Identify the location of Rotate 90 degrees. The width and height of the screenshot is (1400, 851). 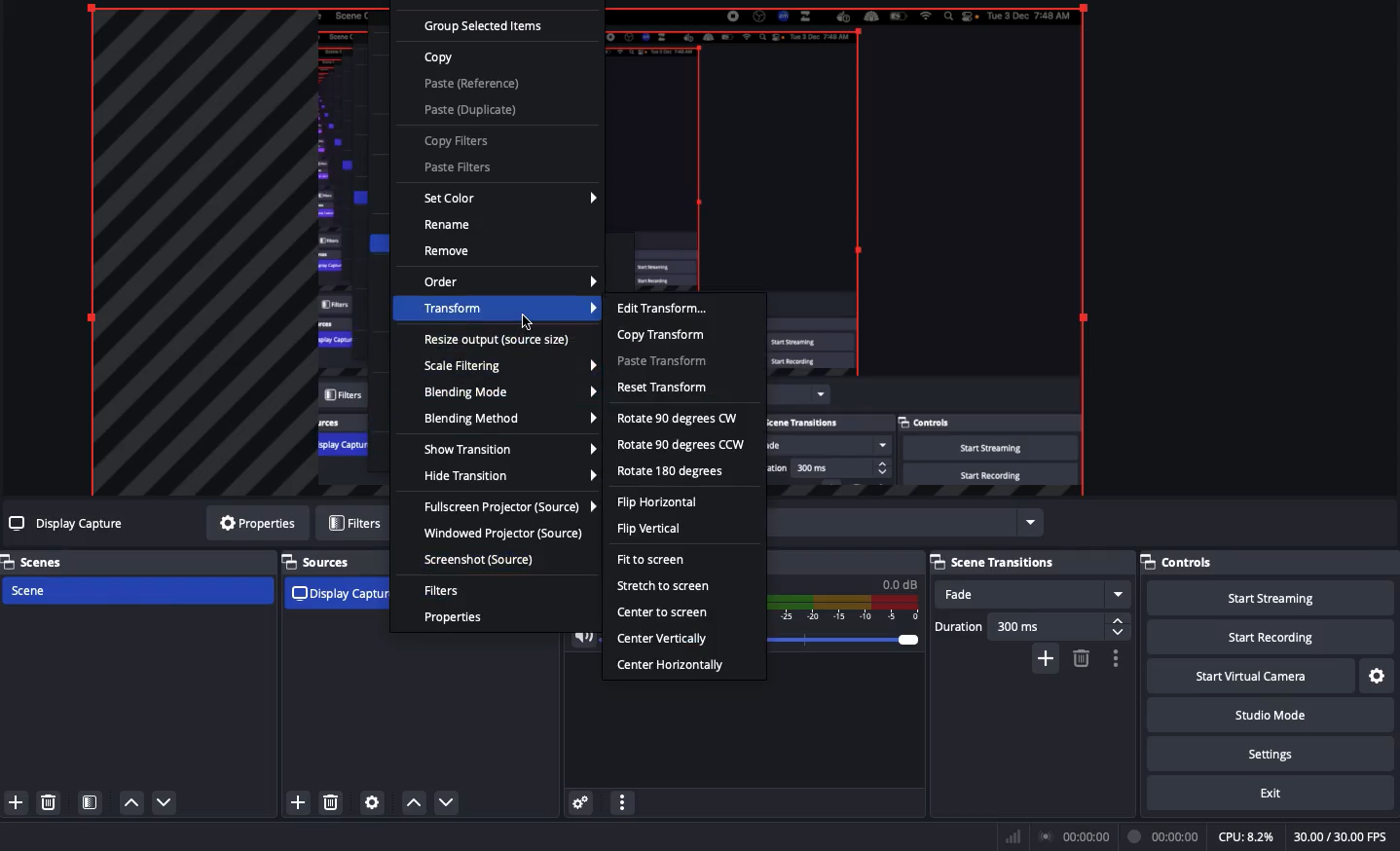
(682, 448).